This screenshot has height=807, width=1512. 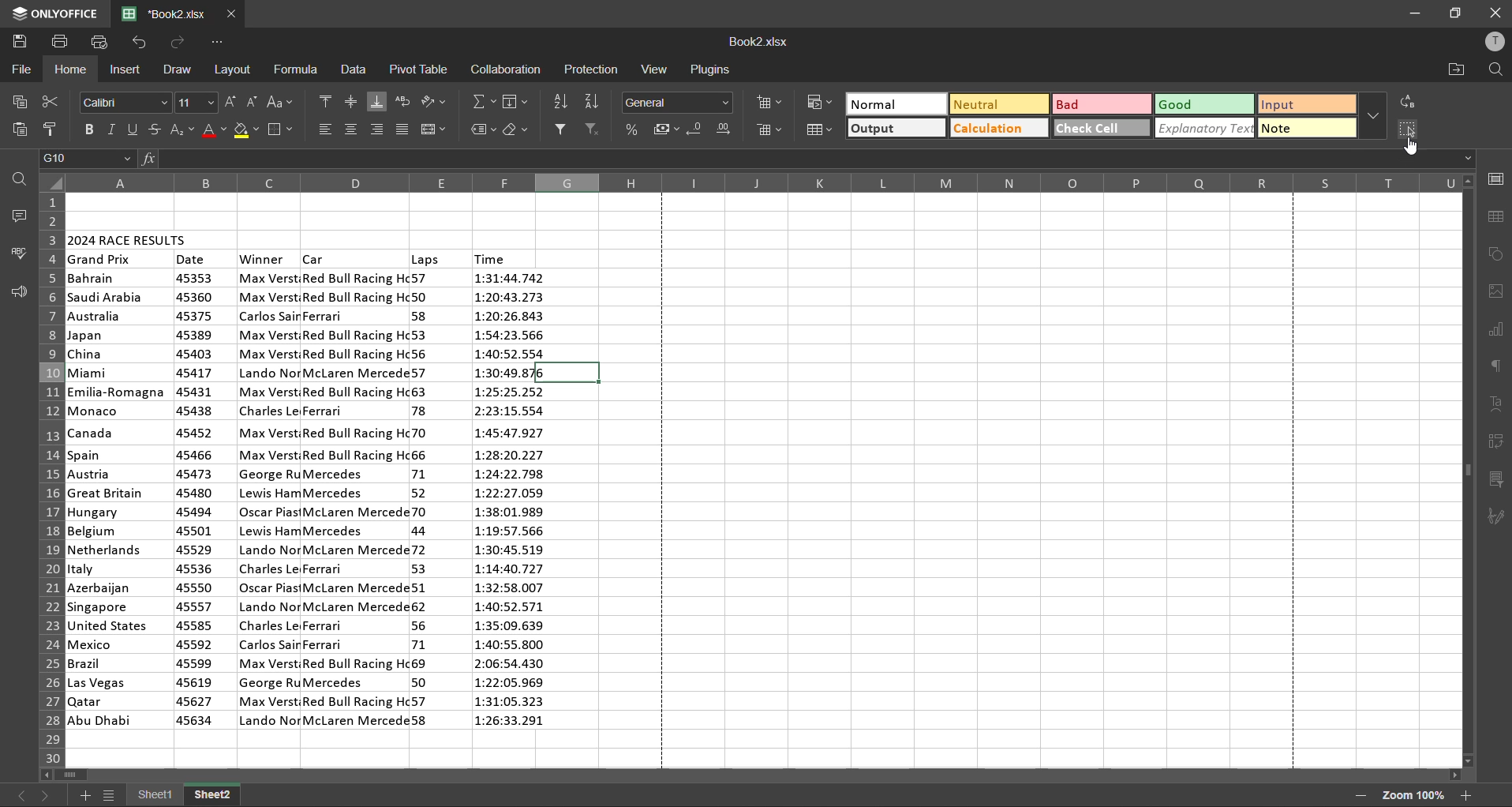 I want to click on borders, so click(x=282, y=132).